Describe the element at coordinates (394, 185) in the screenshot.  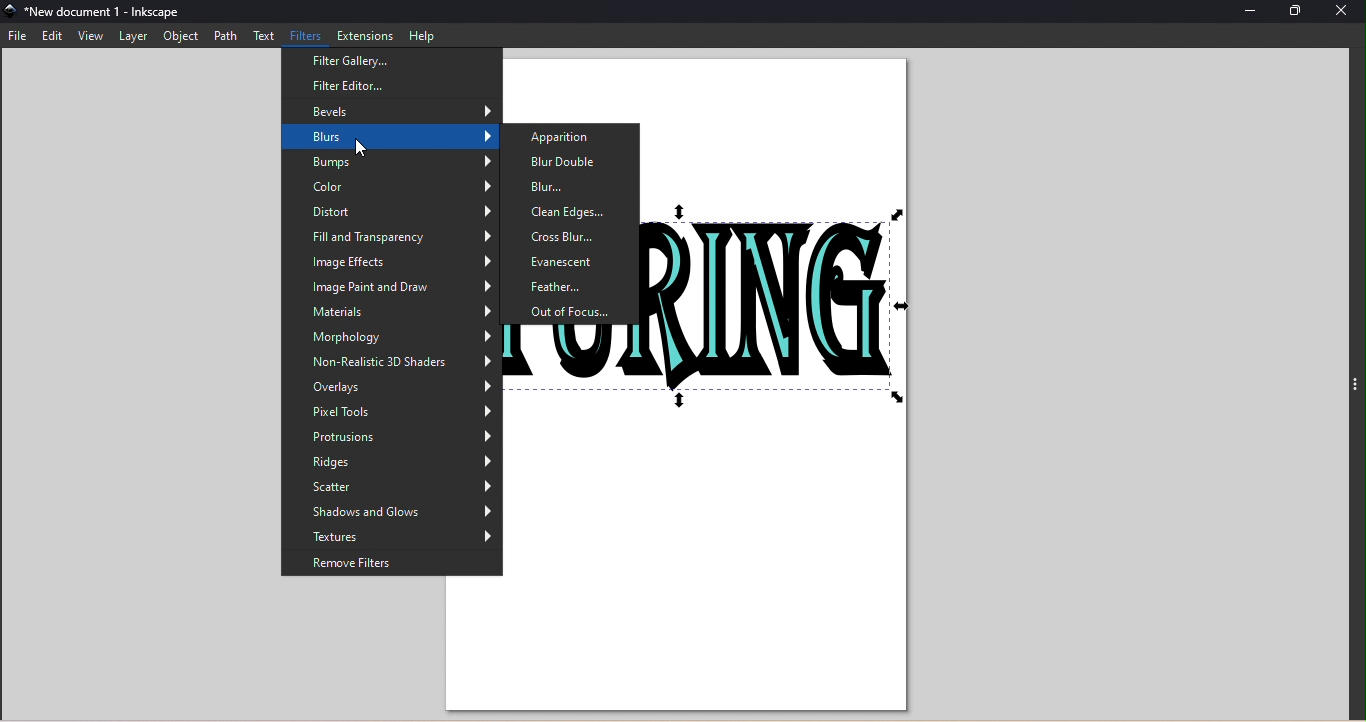
I see `Color` at that location.